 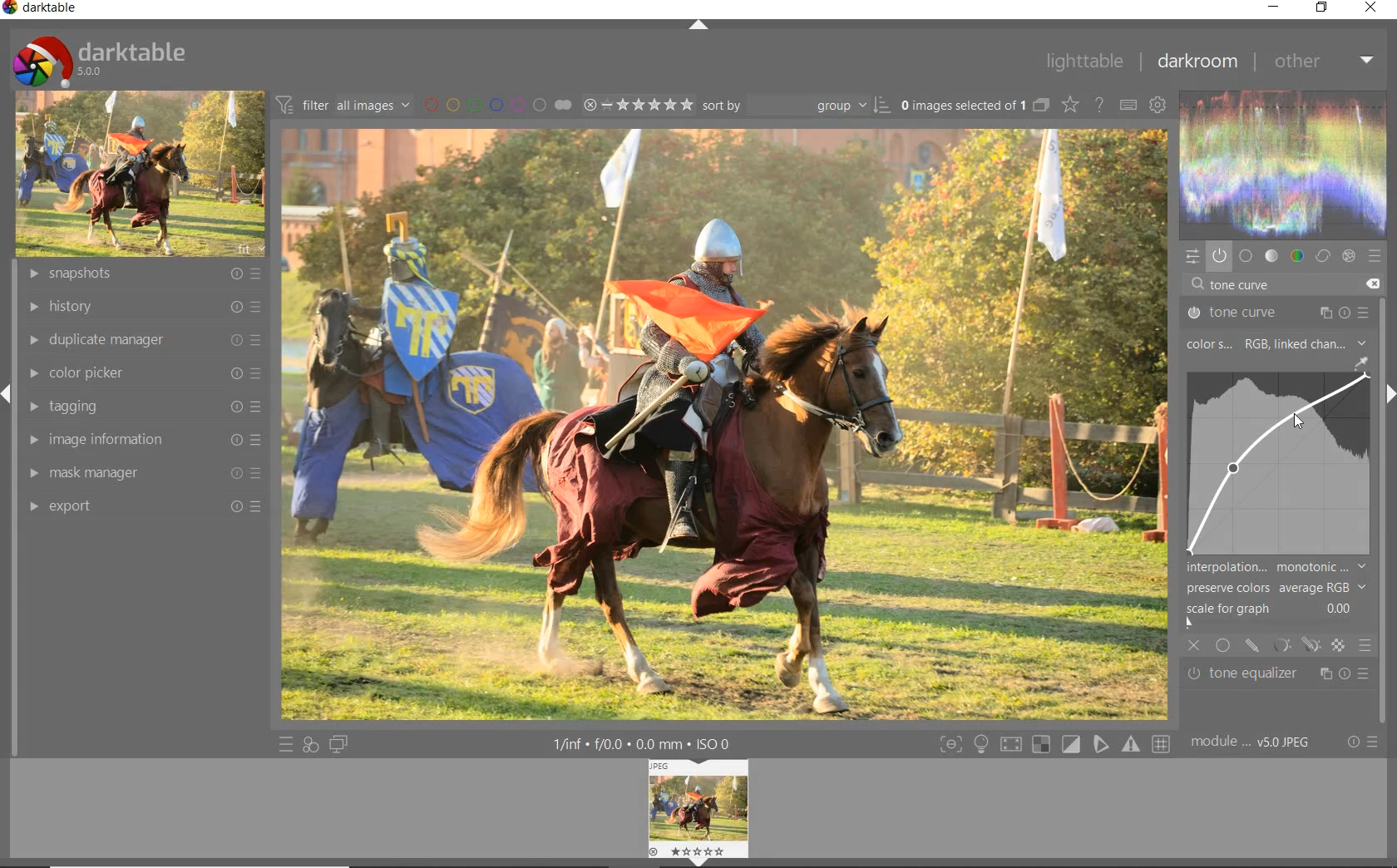 What do you see at coordinates (1278, 313) in the screenshot?
I see `tone curve` at bounding box center [1278, 313].